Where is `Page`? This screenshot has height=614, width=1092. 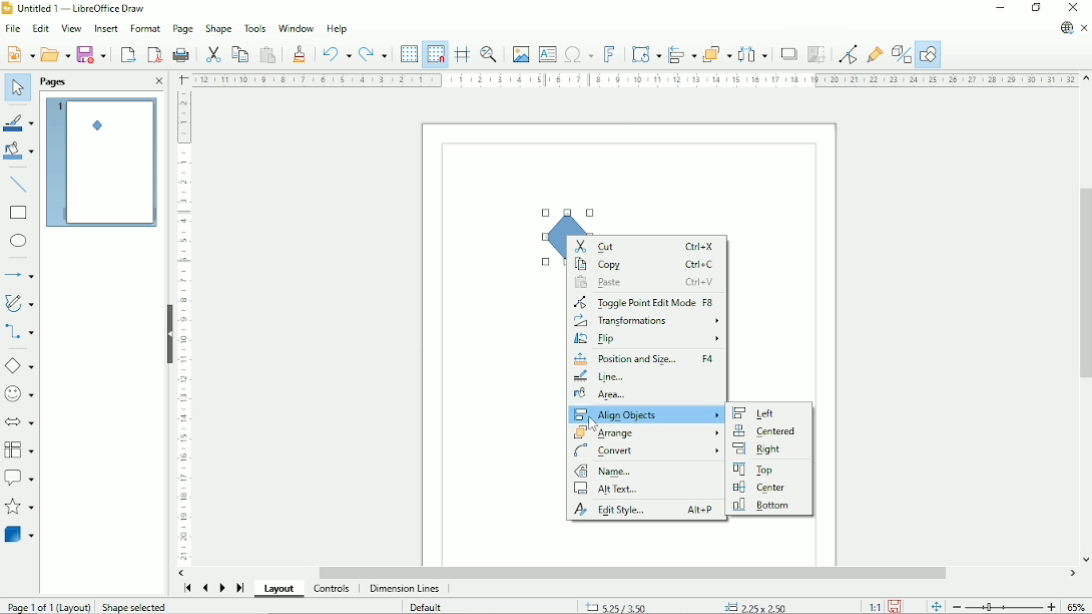 Page is located at coordinates (181, 28).